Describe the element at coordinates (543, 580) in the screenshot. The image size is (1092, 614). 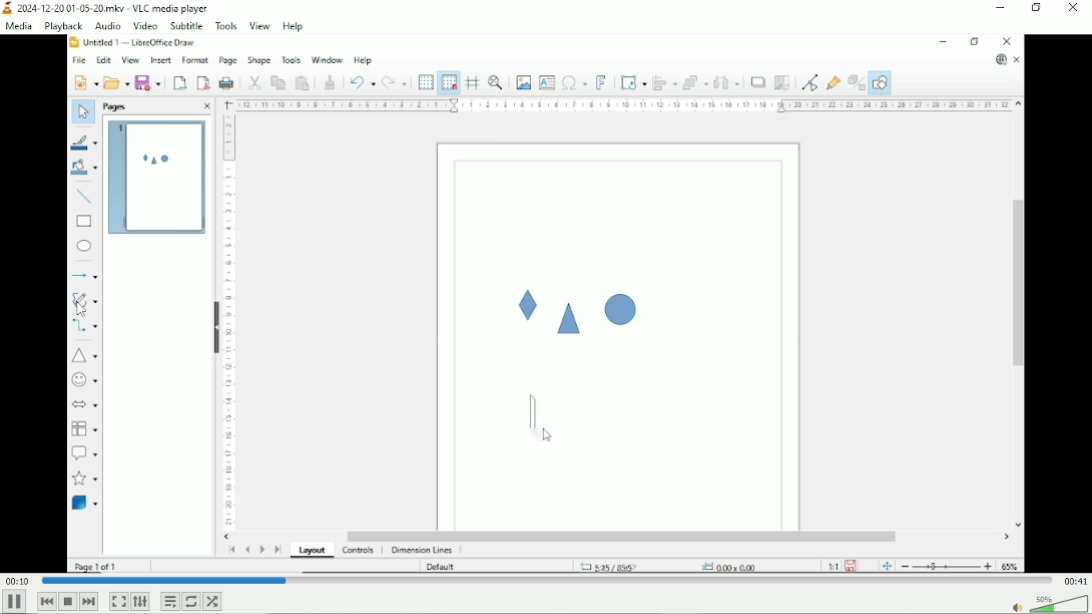
I see `Play duration` at that location.